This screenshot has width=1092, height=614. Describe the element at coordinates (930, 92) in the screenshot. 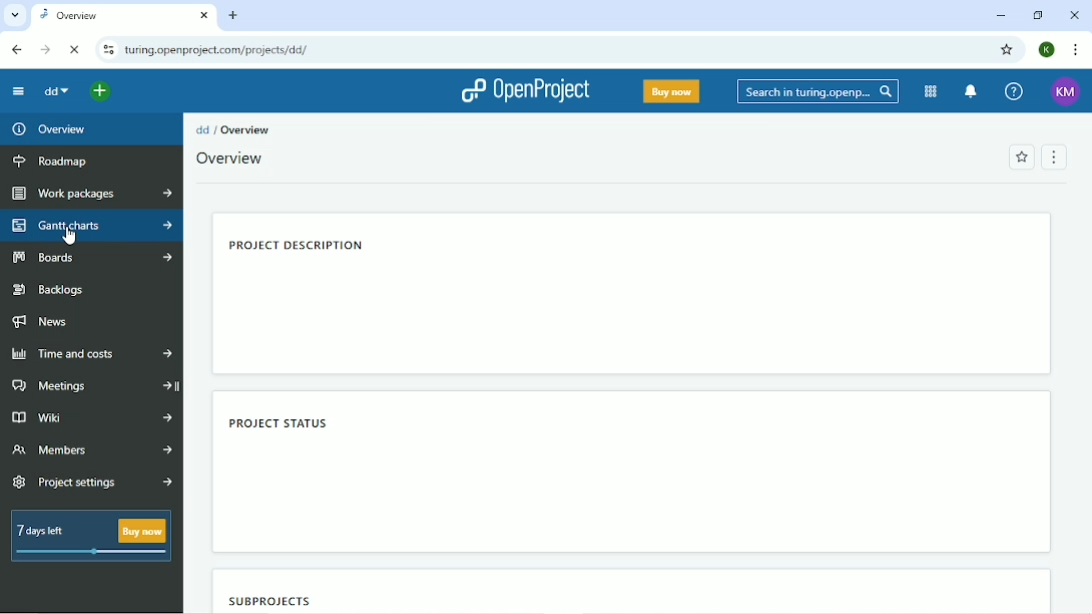

I see `Modules` at that location.